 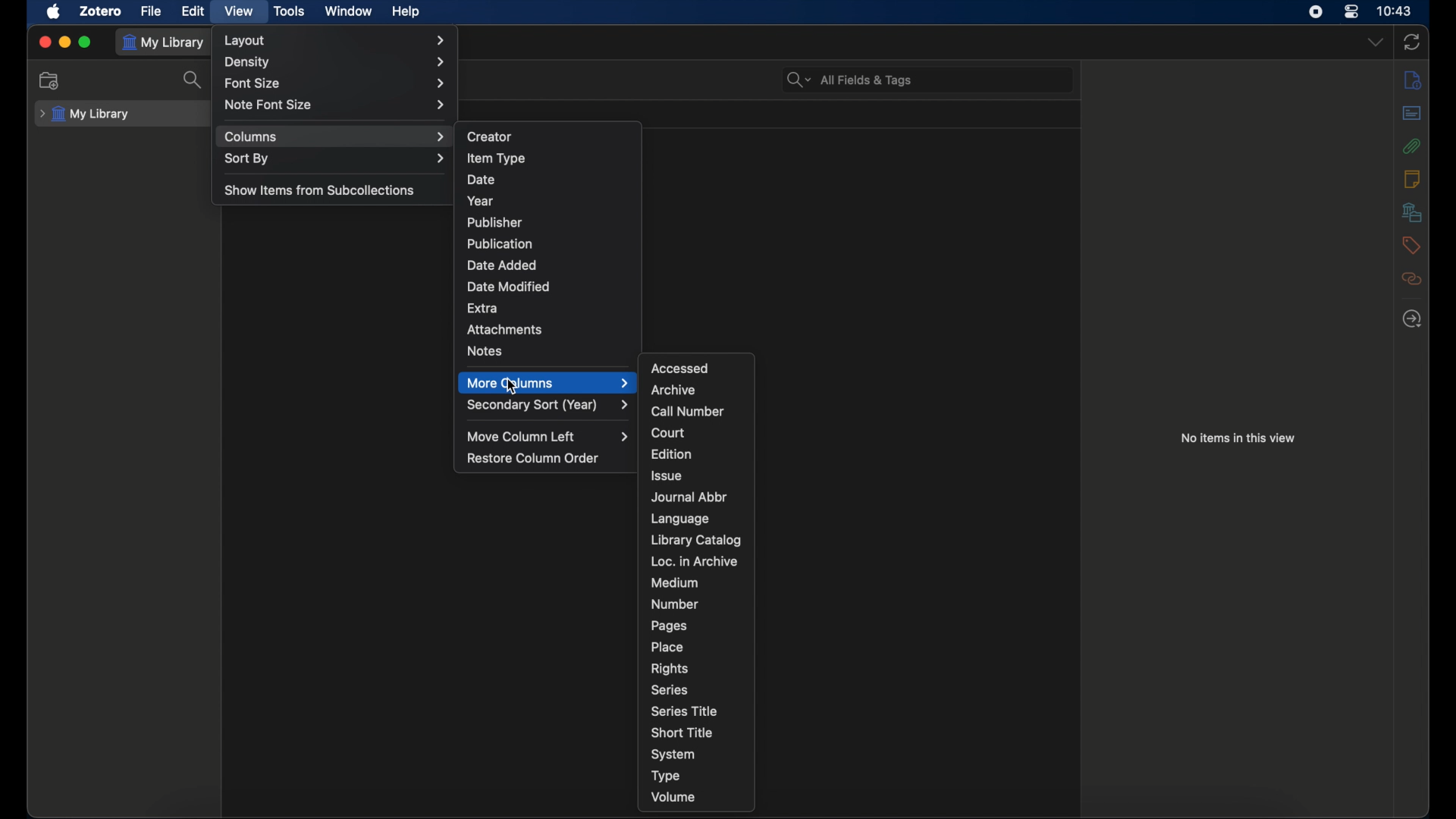 I want to click on screen recorder, so click(x=1318, y=12).